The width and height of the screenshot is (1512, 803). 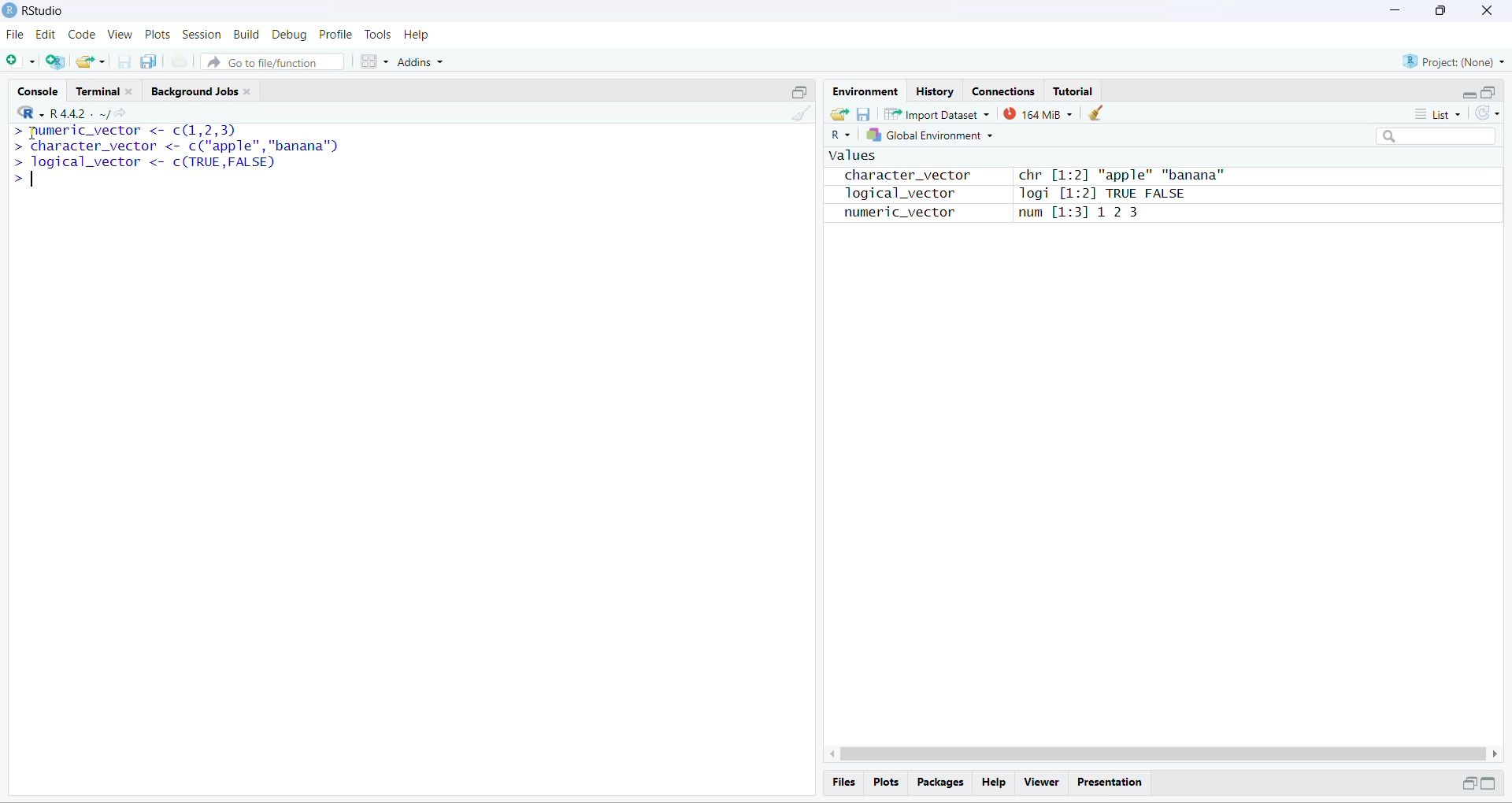 What do you see at coordinates (1121, 176) in the screenshot?
I see `chr [1:2] "apple" "banana"` at bounding box center [1121, 176].